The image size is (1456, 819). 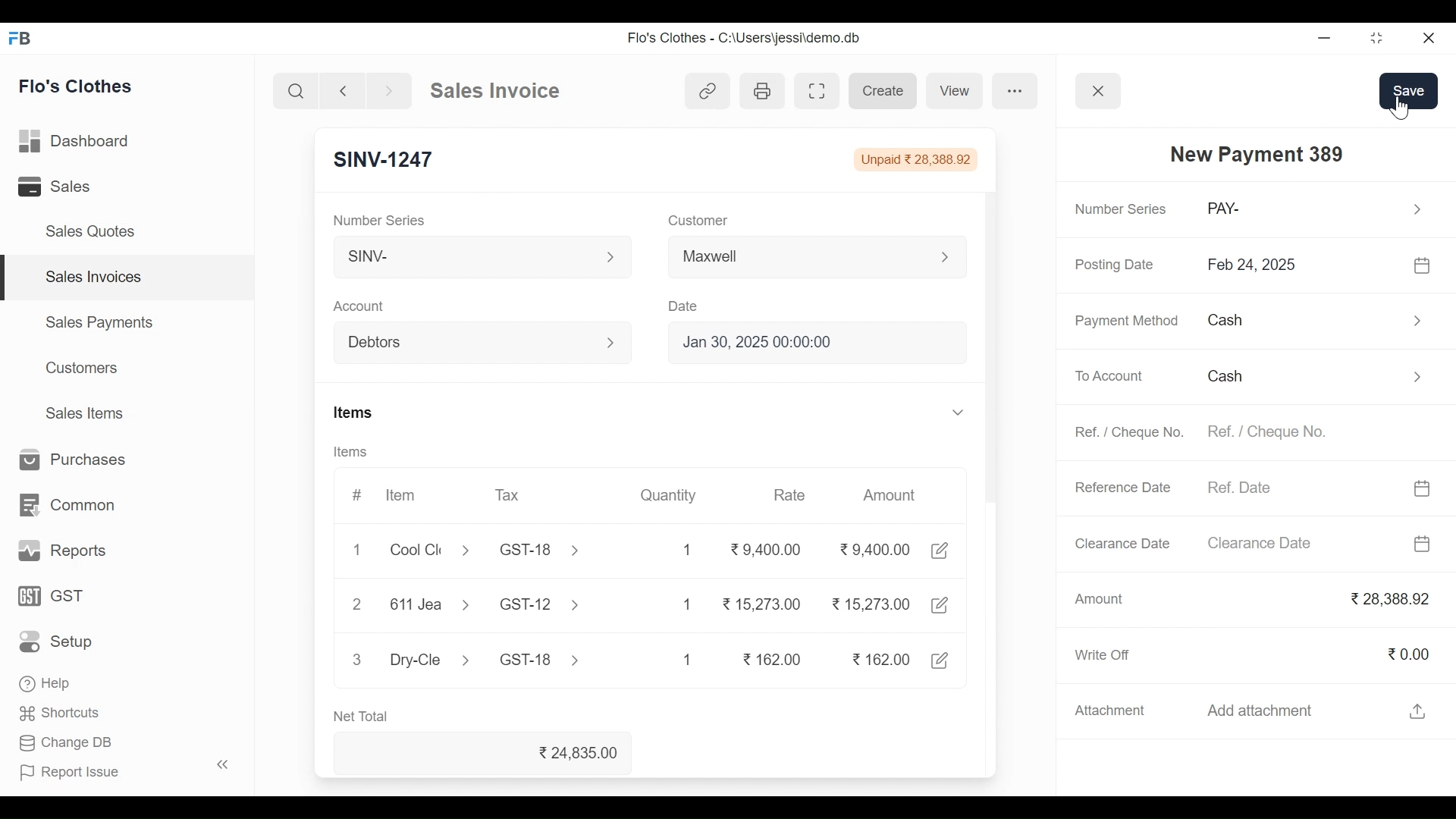 I want to click on 9,400.00, so click(x=767, y=549).